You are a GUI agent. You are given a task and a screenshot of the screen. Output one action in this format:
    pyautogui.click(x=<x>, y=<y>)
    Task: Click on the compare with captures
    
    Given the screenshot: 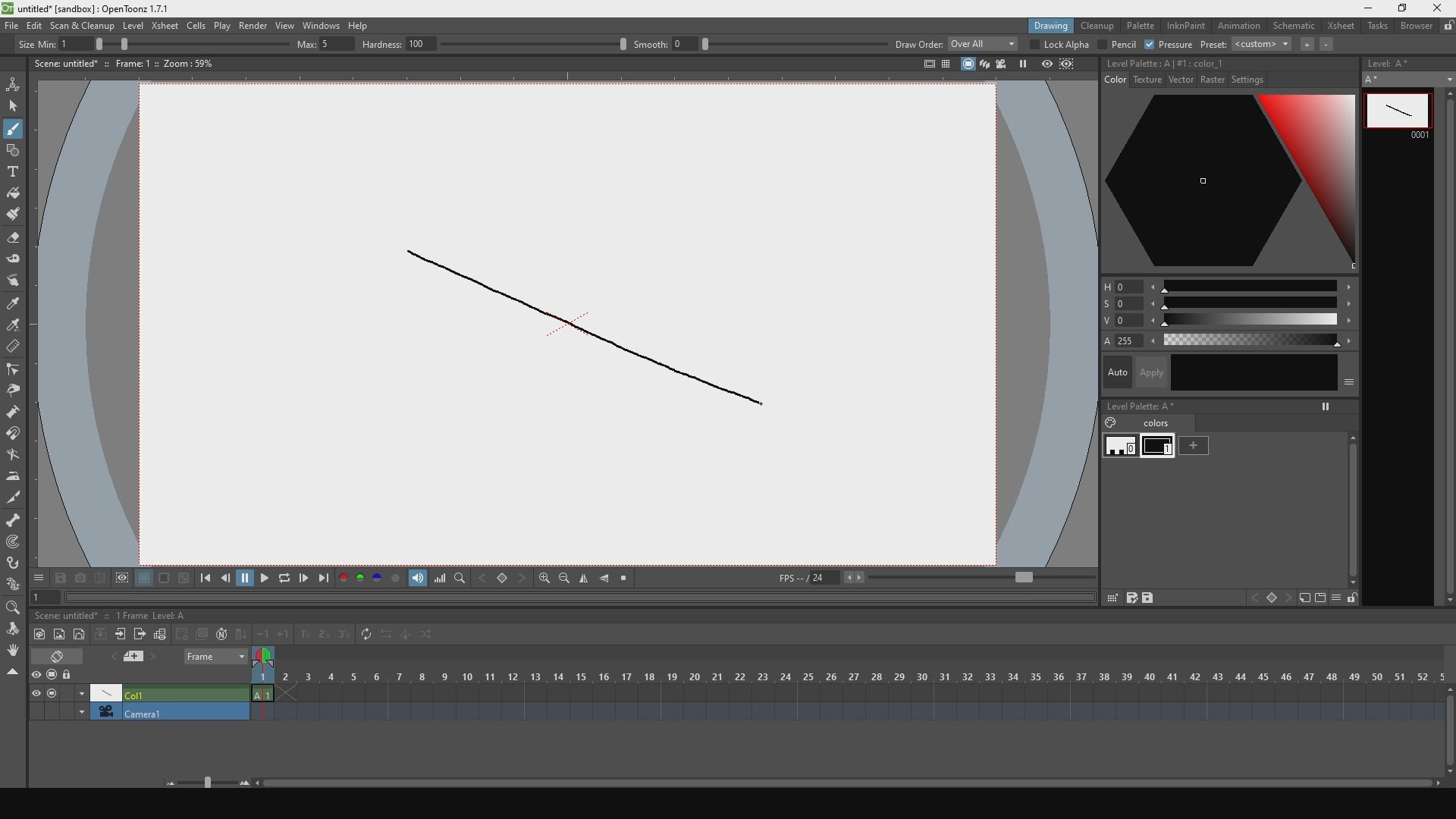 What is the action you would take?
    pyautogui.click(x=100, y=579)
    